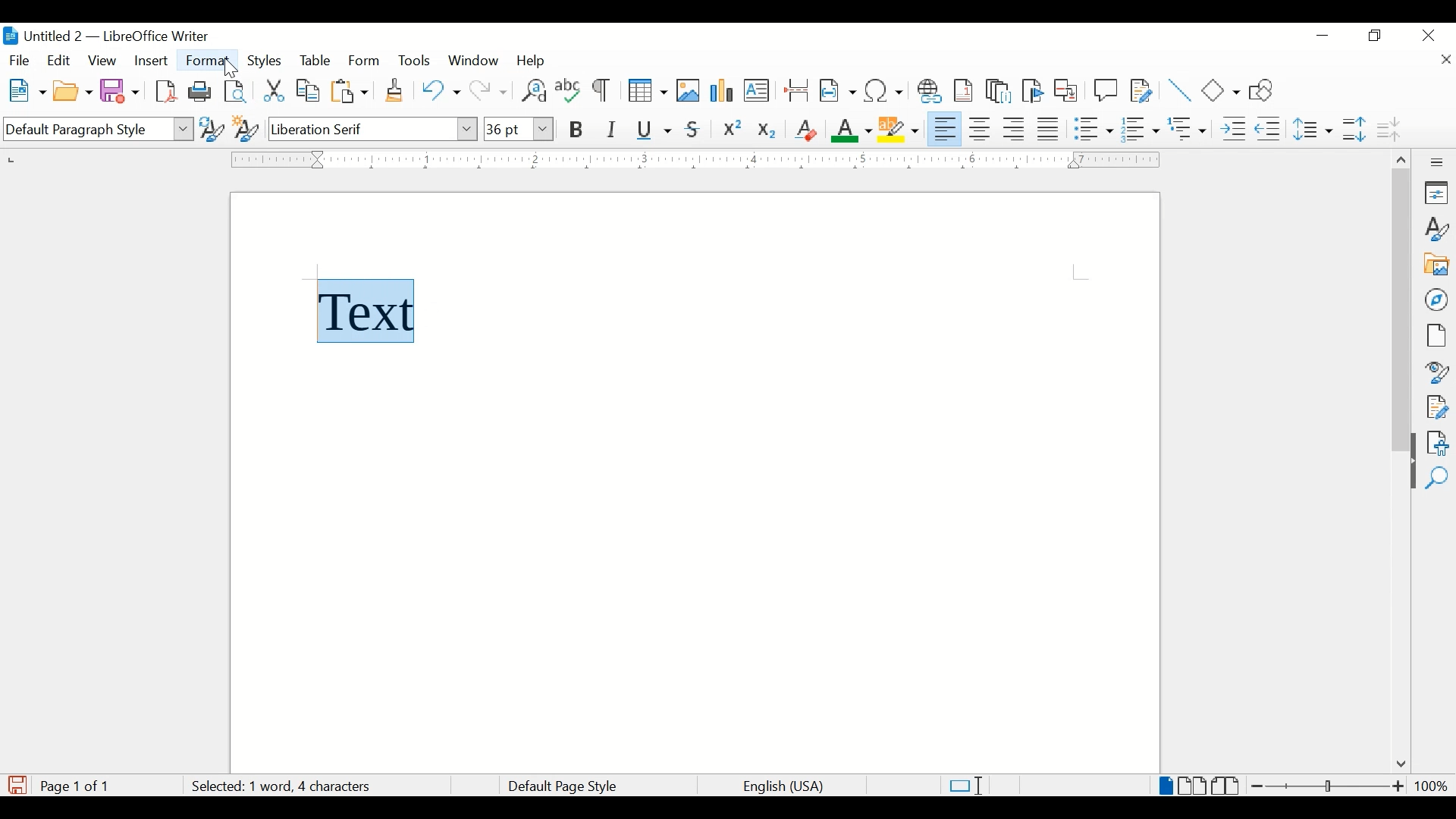 The height and width of the screenshot is (819, 1456). Describe the element at coordinates (1354, 129) in the screenshot. I see `increase paragraph spacing` at that location.